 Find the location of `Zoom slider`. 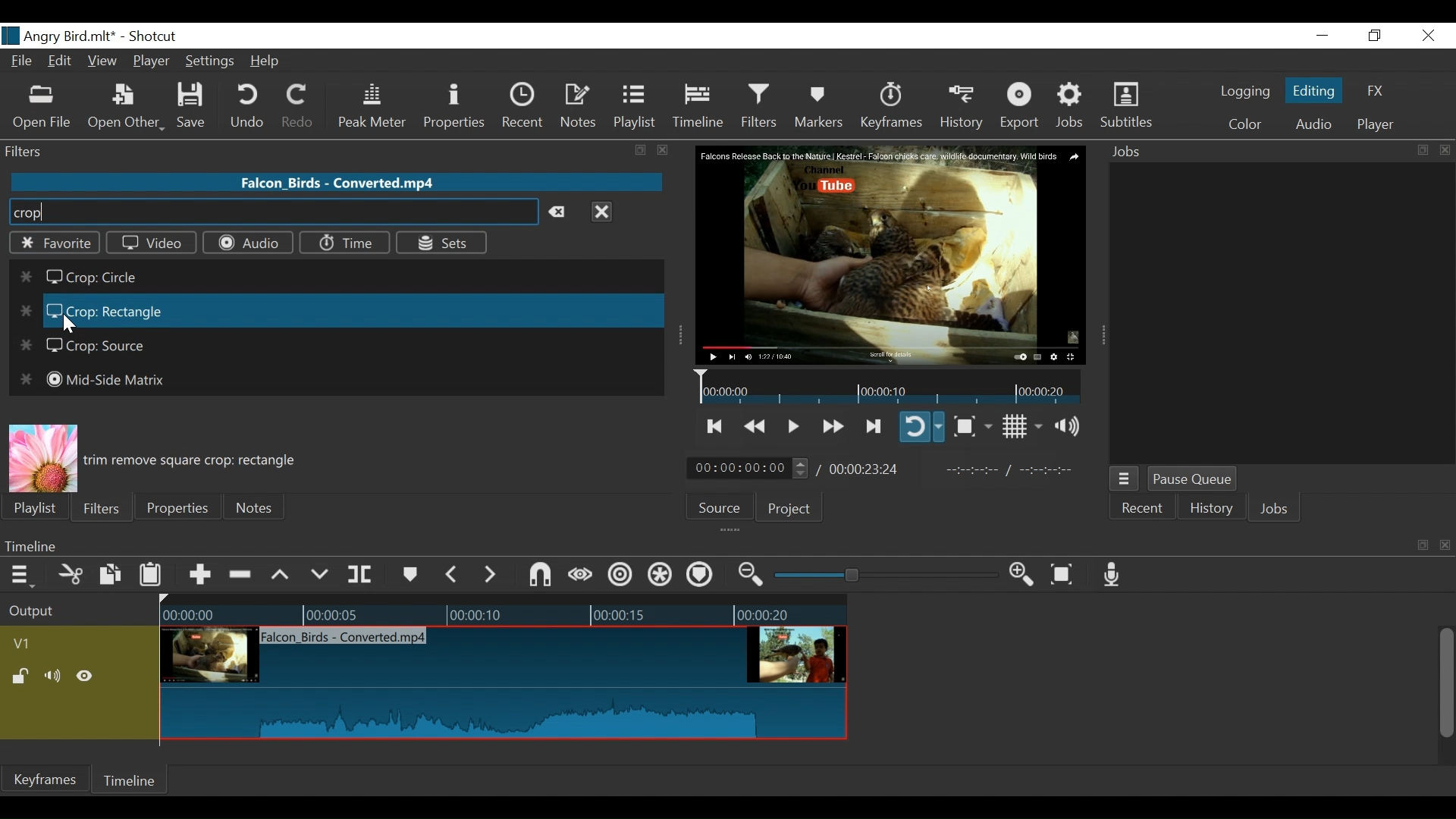

Zoom slider is located at coordinates (889, 575).